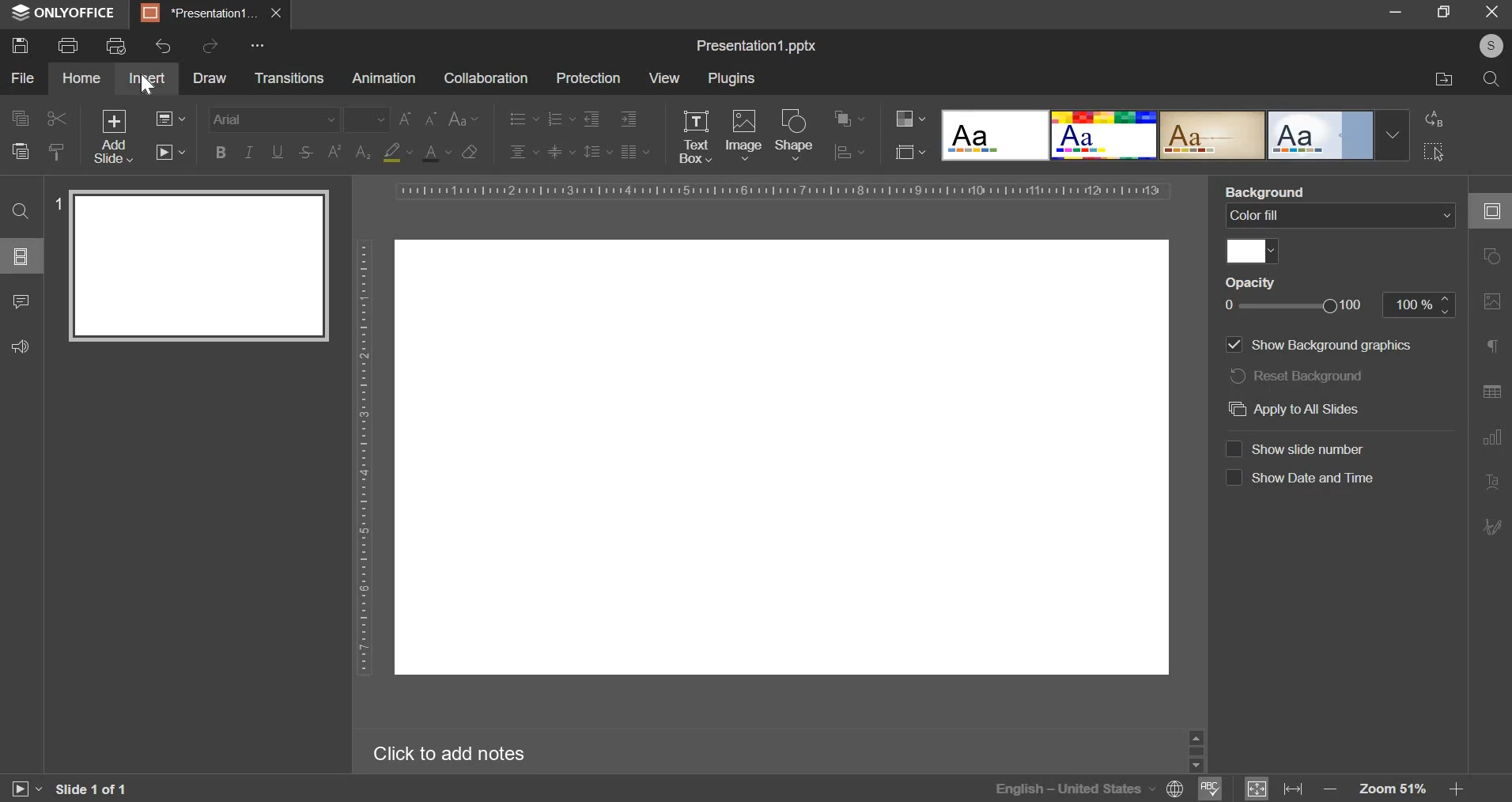 The width and height of the screenshot is (1512, 802). What do you see at coordinates (1294, 789) in the screenshot?
I see `fit to width` at bounding box center [1294, 789].